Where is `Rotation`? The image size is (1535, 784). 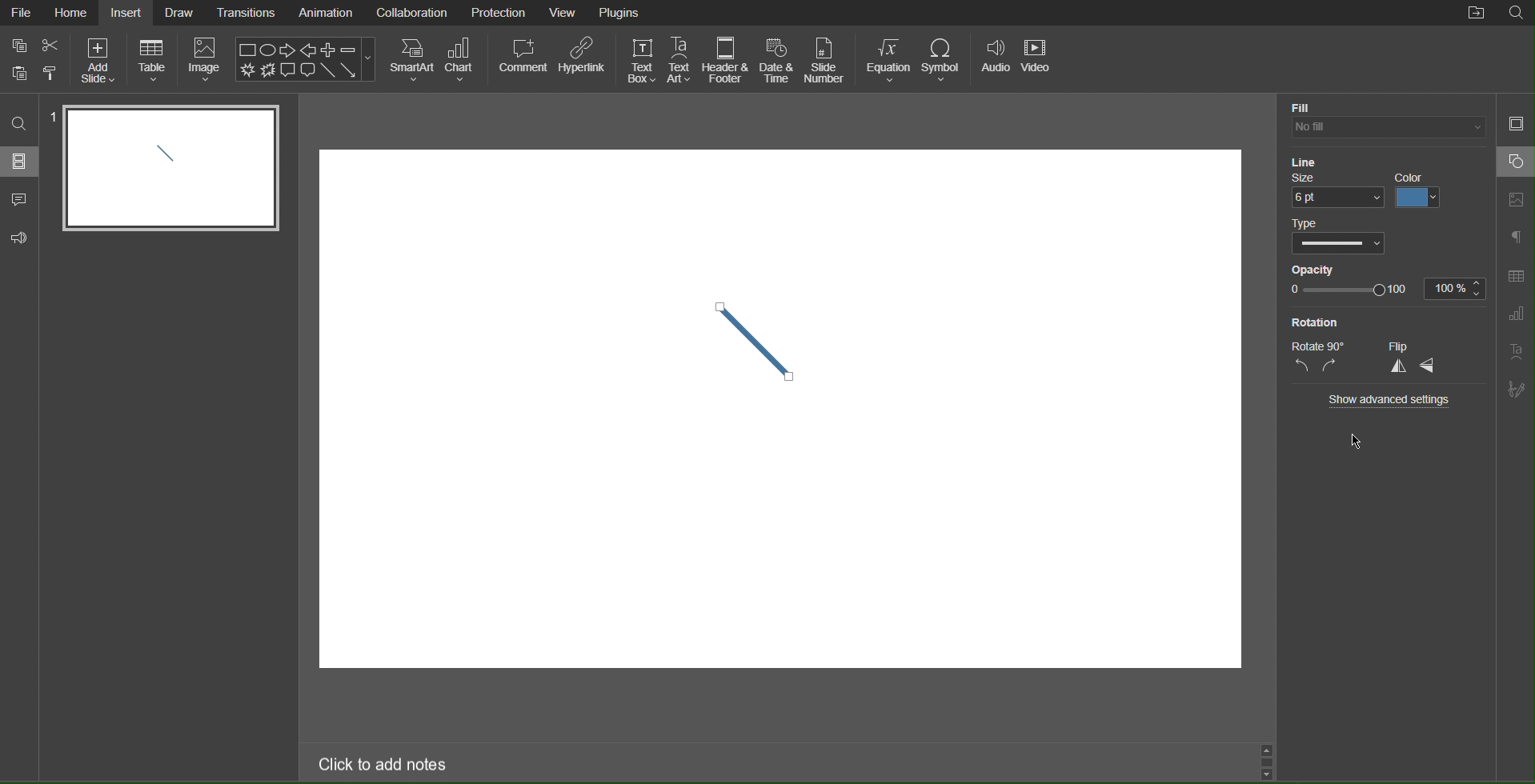 Rotation is located at coordinates (1320, 322).